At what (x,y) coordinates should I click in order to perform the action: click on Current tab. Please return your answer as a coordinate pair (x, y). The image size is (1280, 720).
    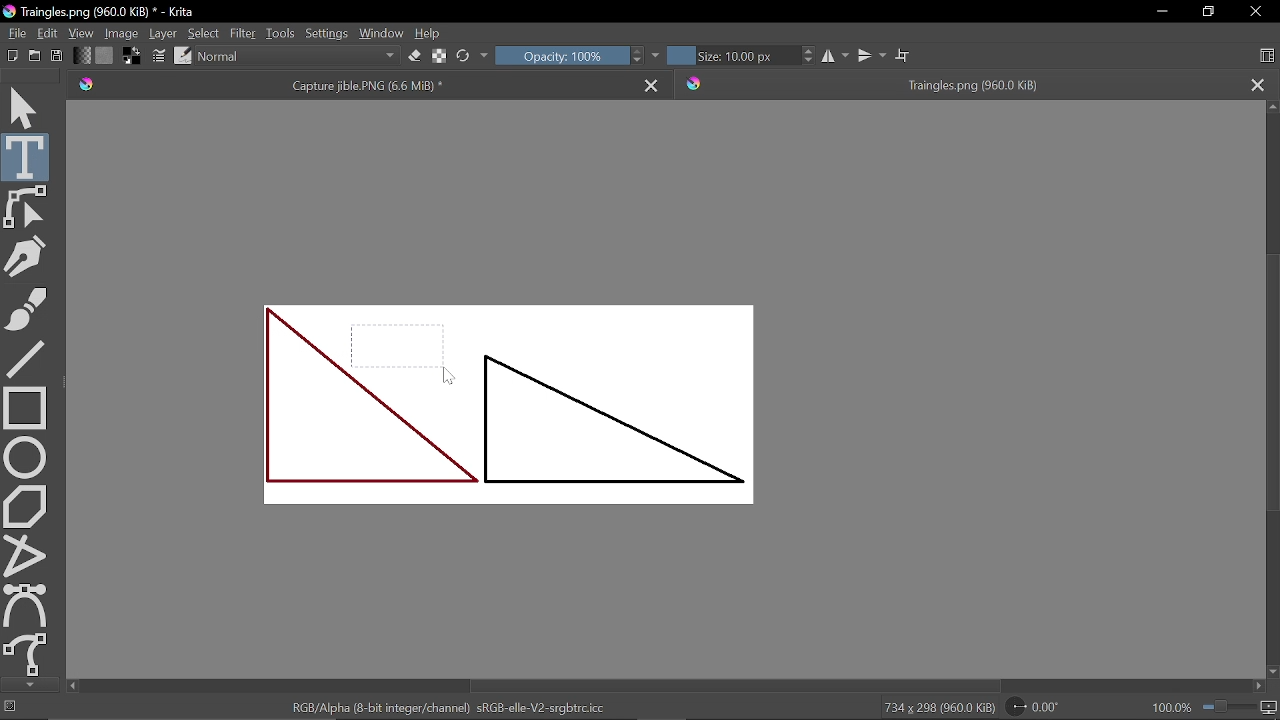
    Looking at the image, I should click on (349, 84).